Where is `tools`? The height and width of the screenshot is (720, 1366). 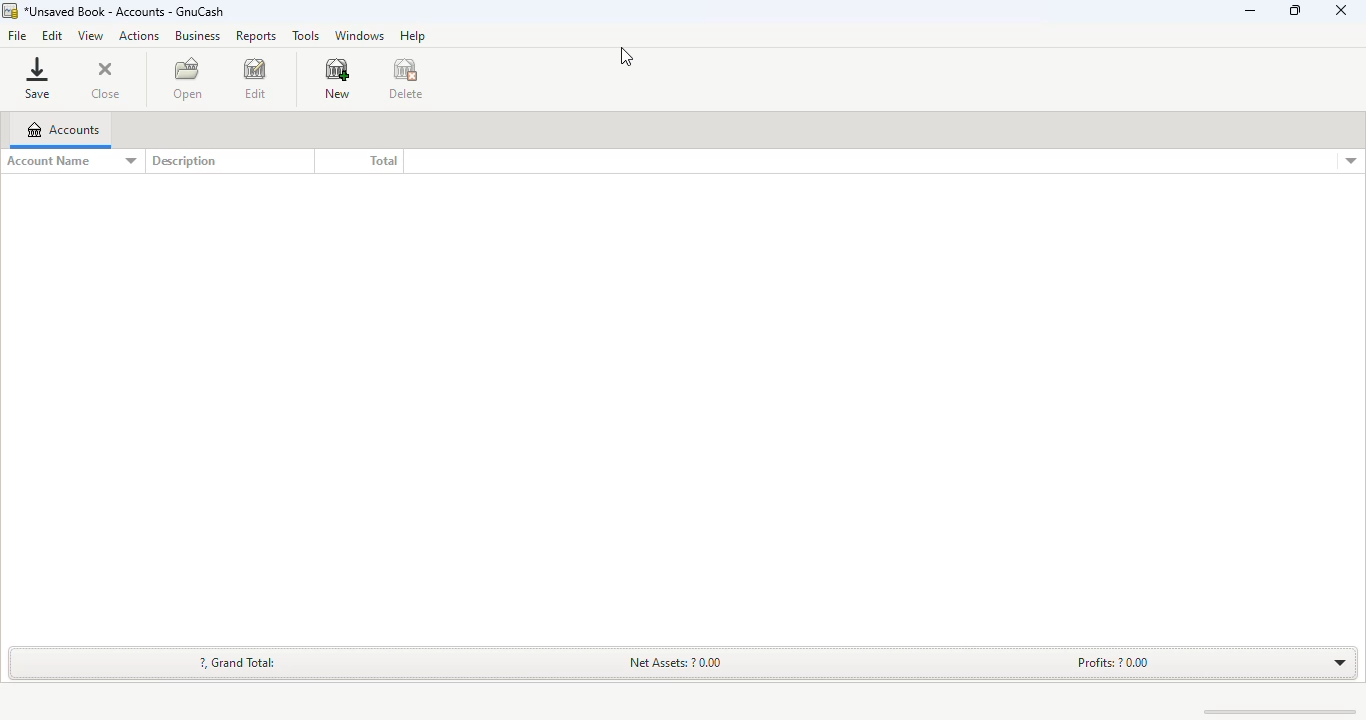
tools is located at coordinates (305, 35).